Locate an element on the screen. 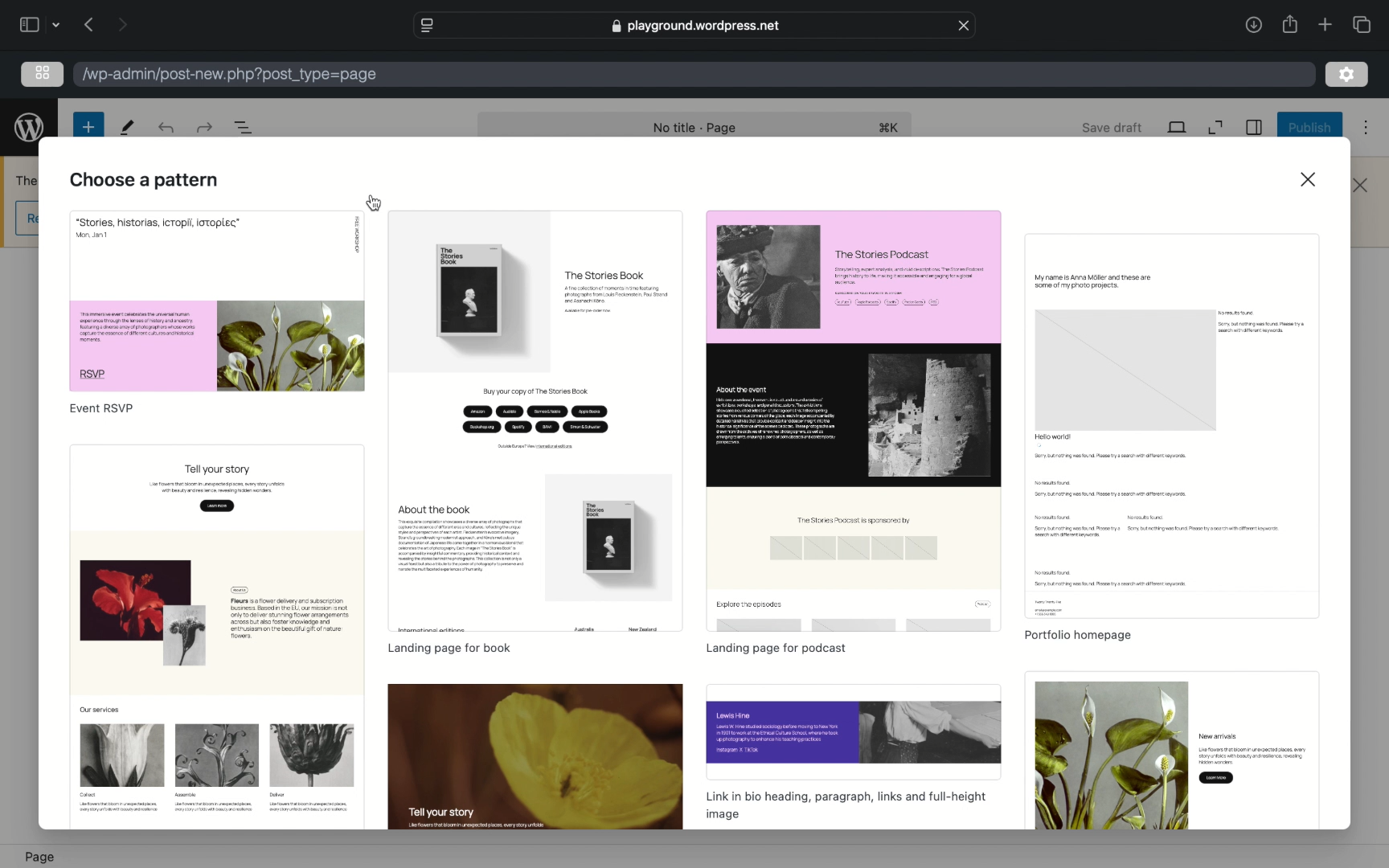 This screenshot has width=1389, height=868. obscure icon is located at coordinates (29, 219).